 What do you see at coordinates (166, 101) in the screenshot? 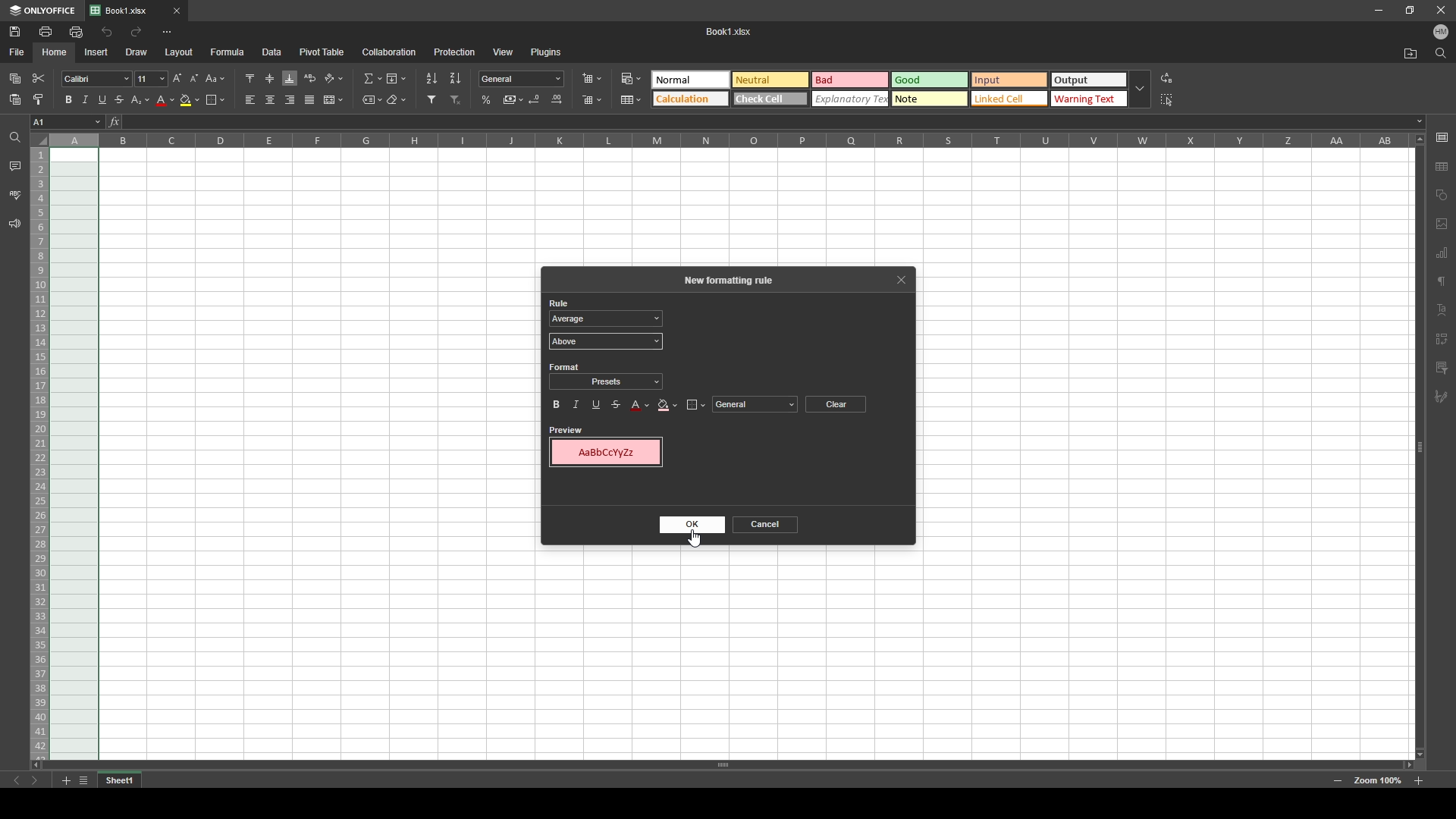
I see `font color` at bounding box center [166, 101].